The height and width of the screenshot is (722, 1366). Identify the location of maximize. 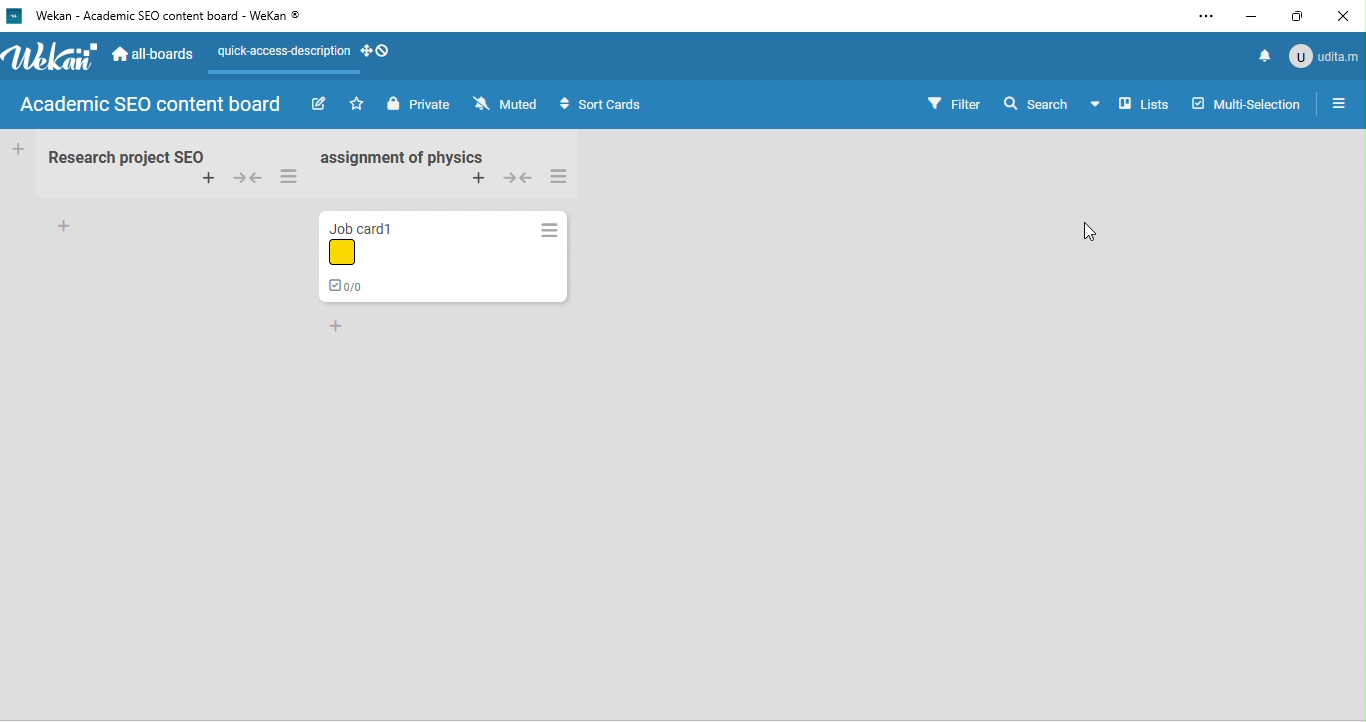
(1298, 16).